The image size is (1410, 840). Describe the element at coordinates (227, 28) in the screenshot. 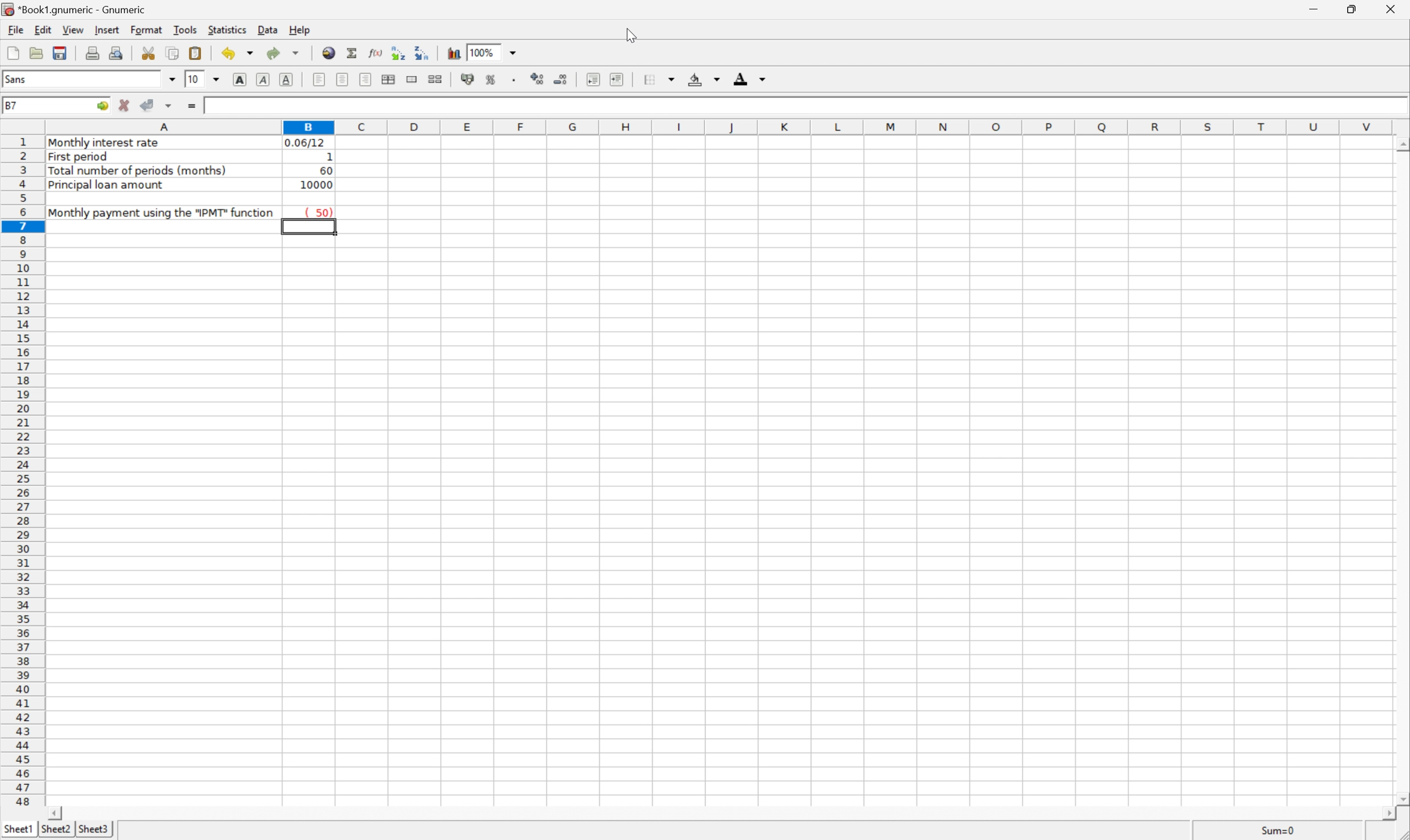

I see `Statistics` at that location.